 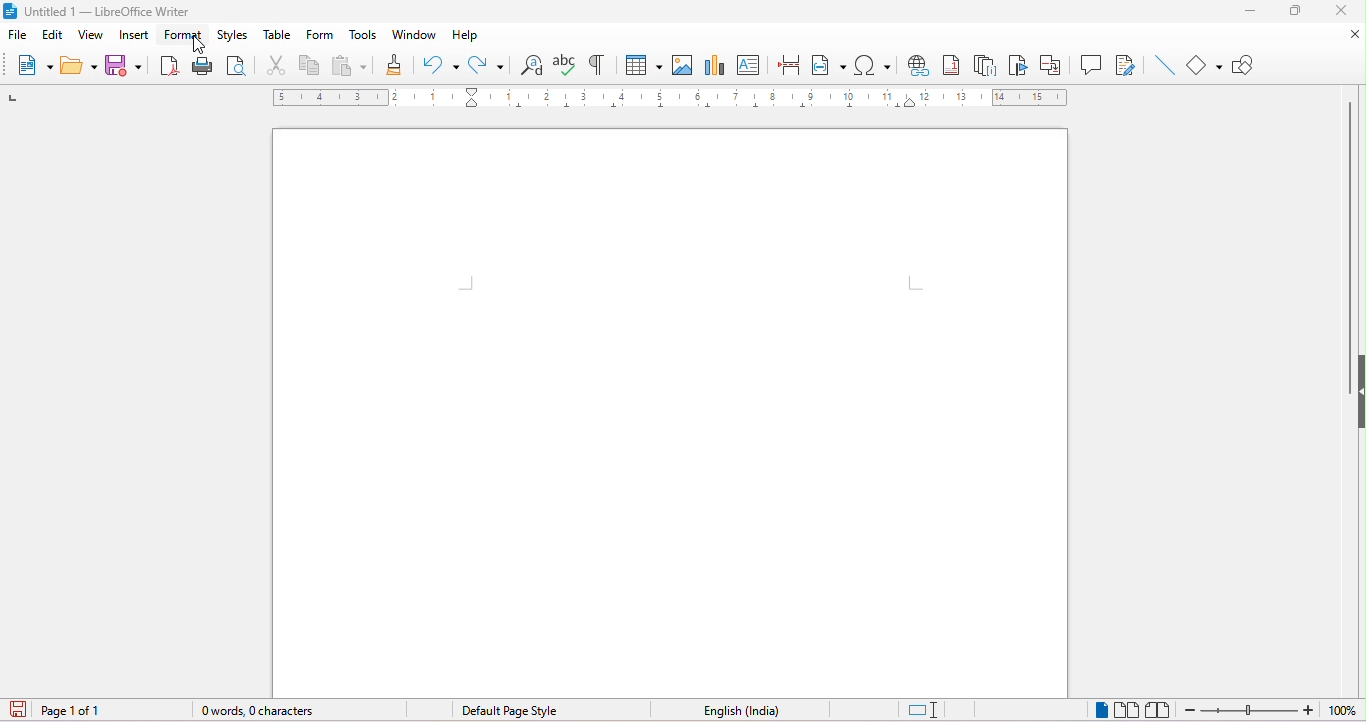 I want to click on print, so click(x=202, y=67).